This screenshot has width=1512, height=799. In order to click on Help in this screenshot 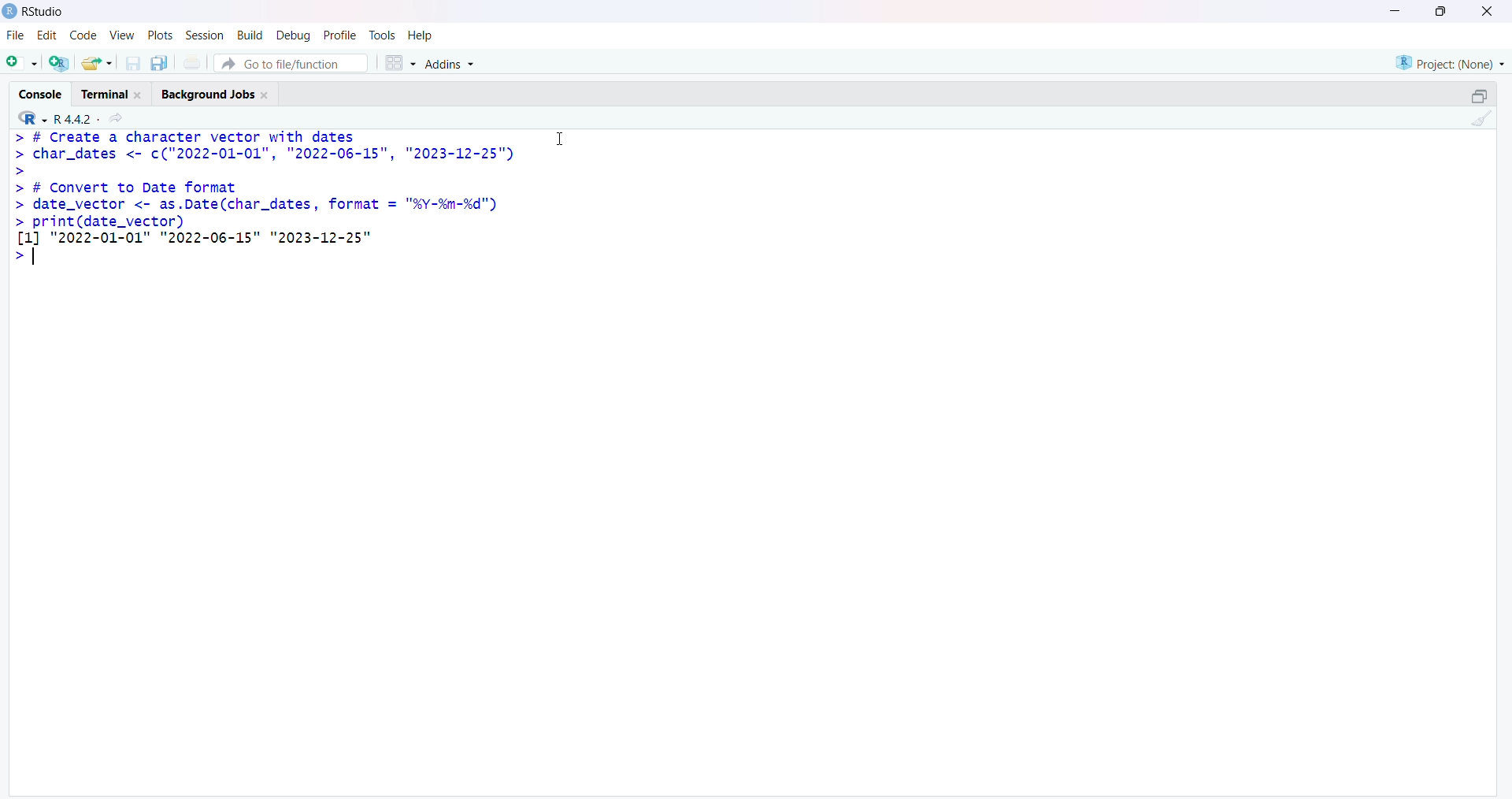, I will do `click(421, 35)`.